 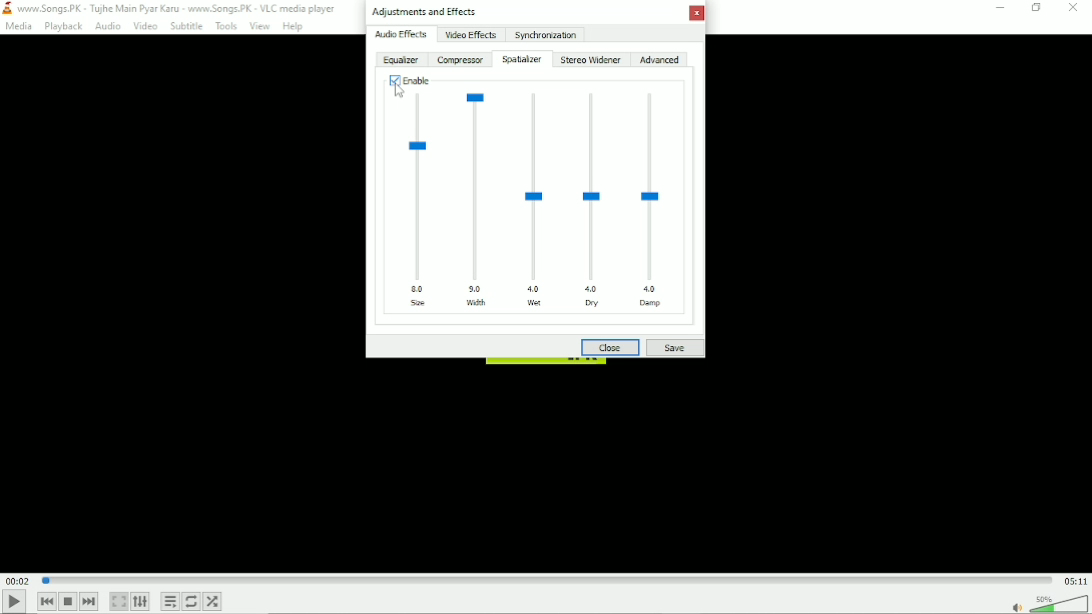 I want to click on Elapsed time, so click(x=17, y=580).